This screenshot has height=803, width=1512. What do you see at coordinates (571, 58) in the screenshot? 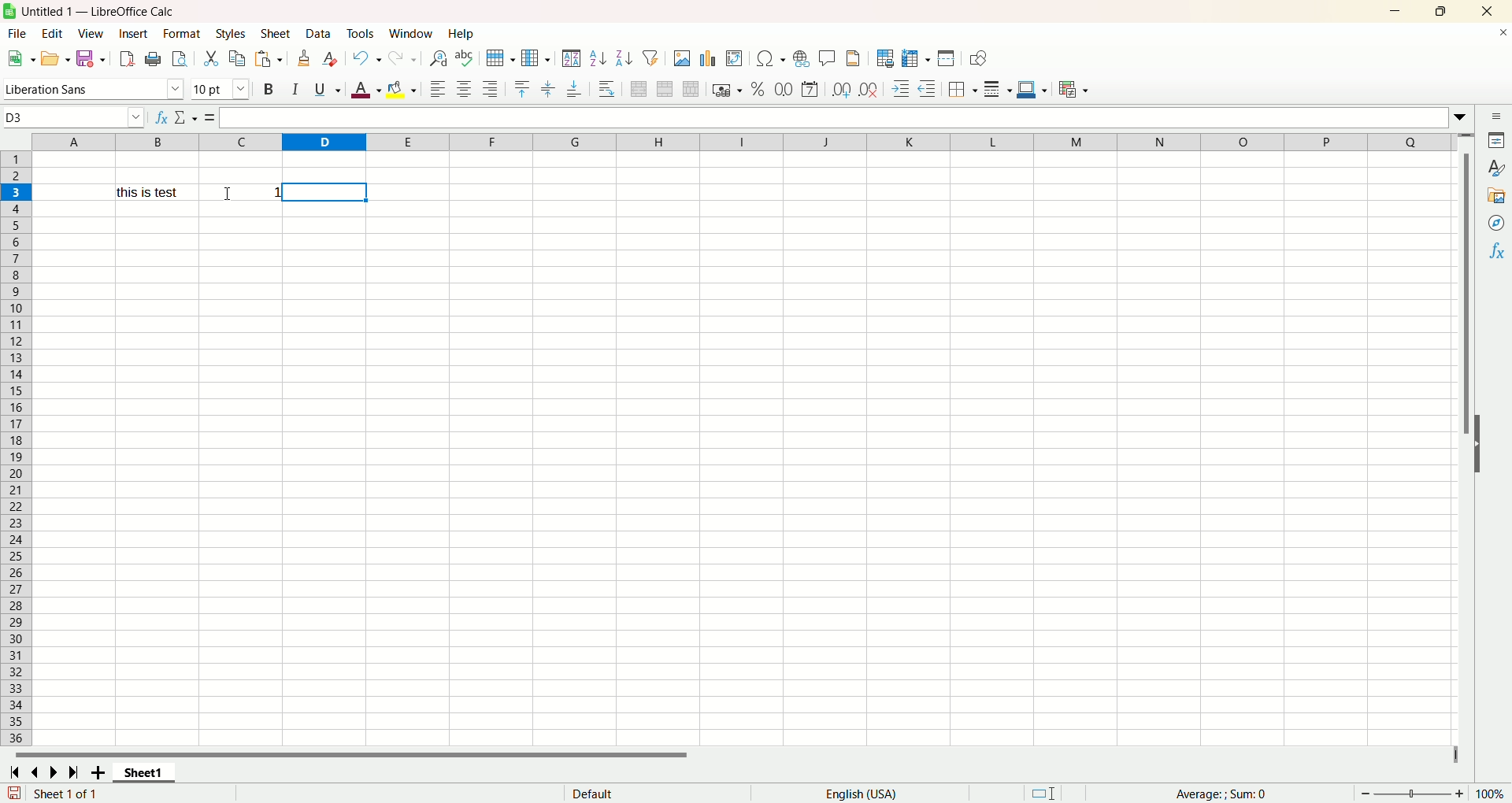
I see `sort` at bounding box center [571, 58].